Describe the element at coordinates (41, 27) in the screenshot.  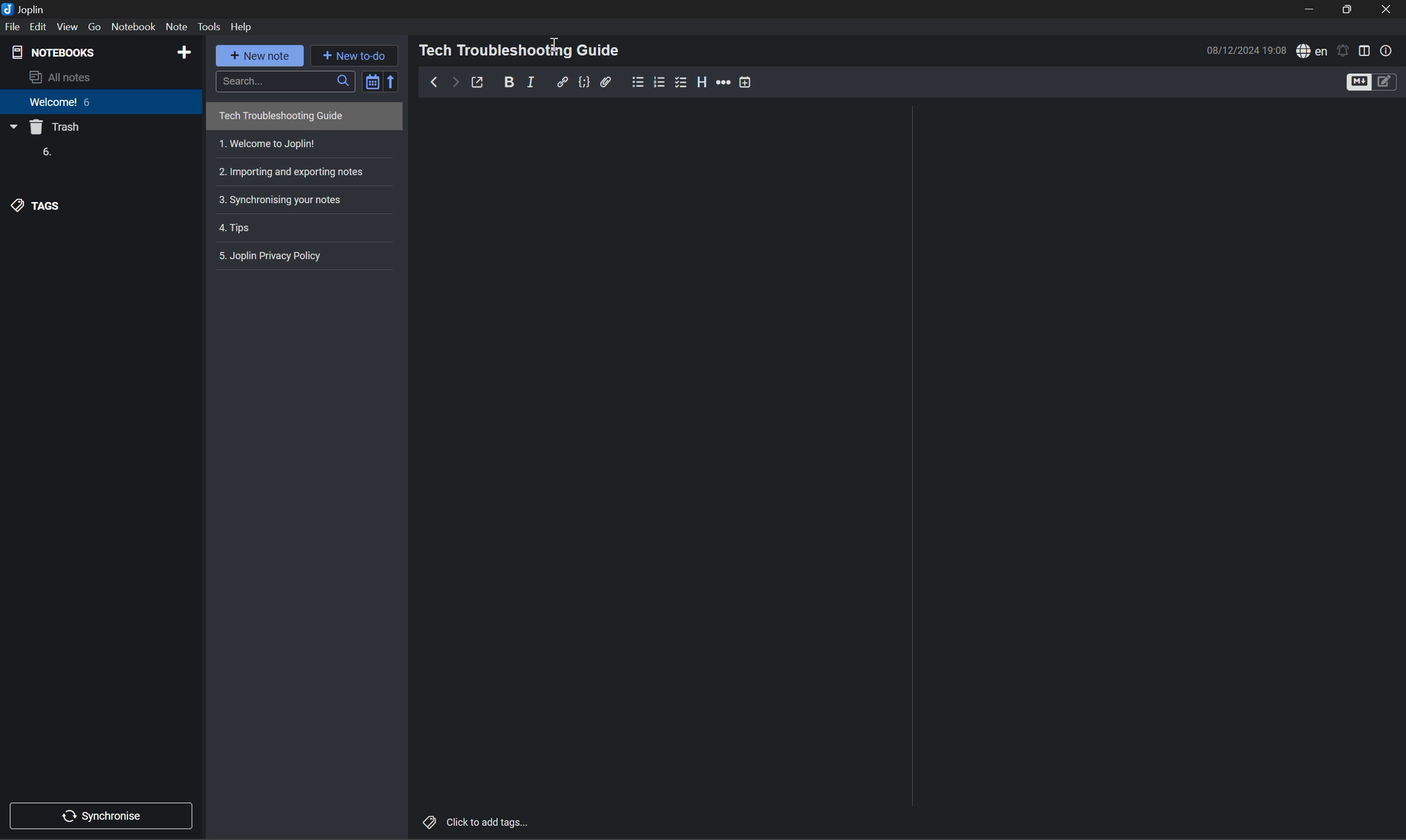
I see `Edit` at that location.